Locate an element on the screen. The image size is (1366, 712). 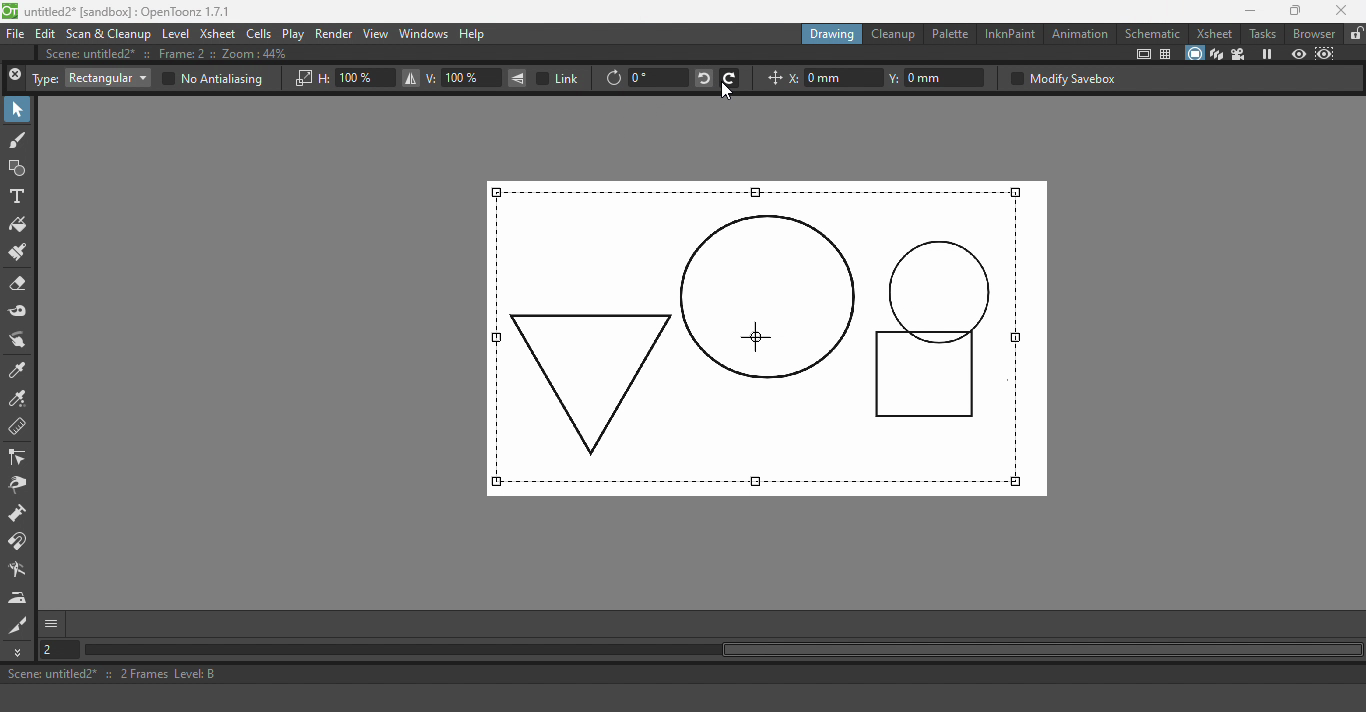
Fill tool is located at coordinates (19, 225).